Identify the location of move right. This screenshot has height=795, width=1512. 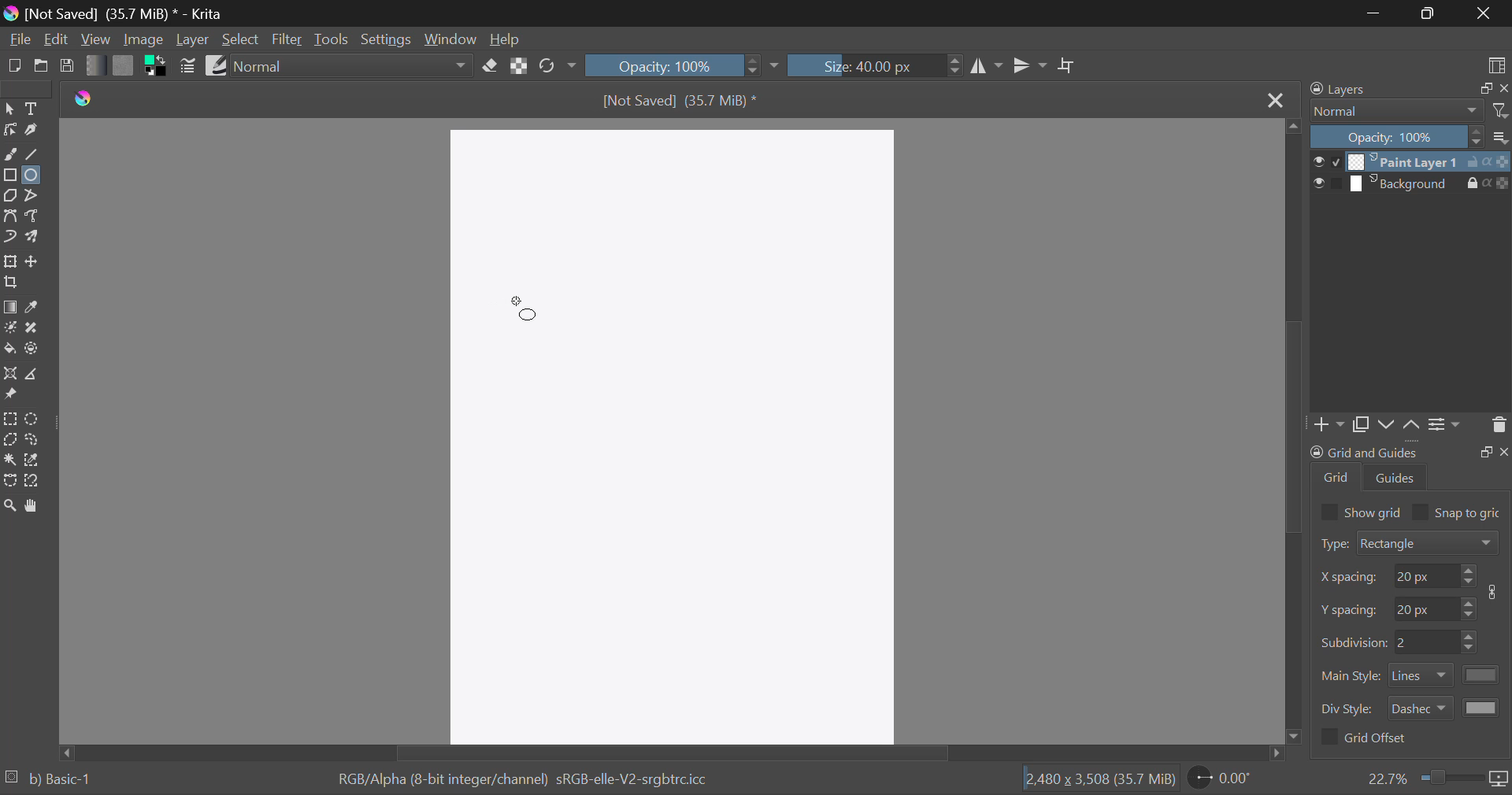
(1278, 753).